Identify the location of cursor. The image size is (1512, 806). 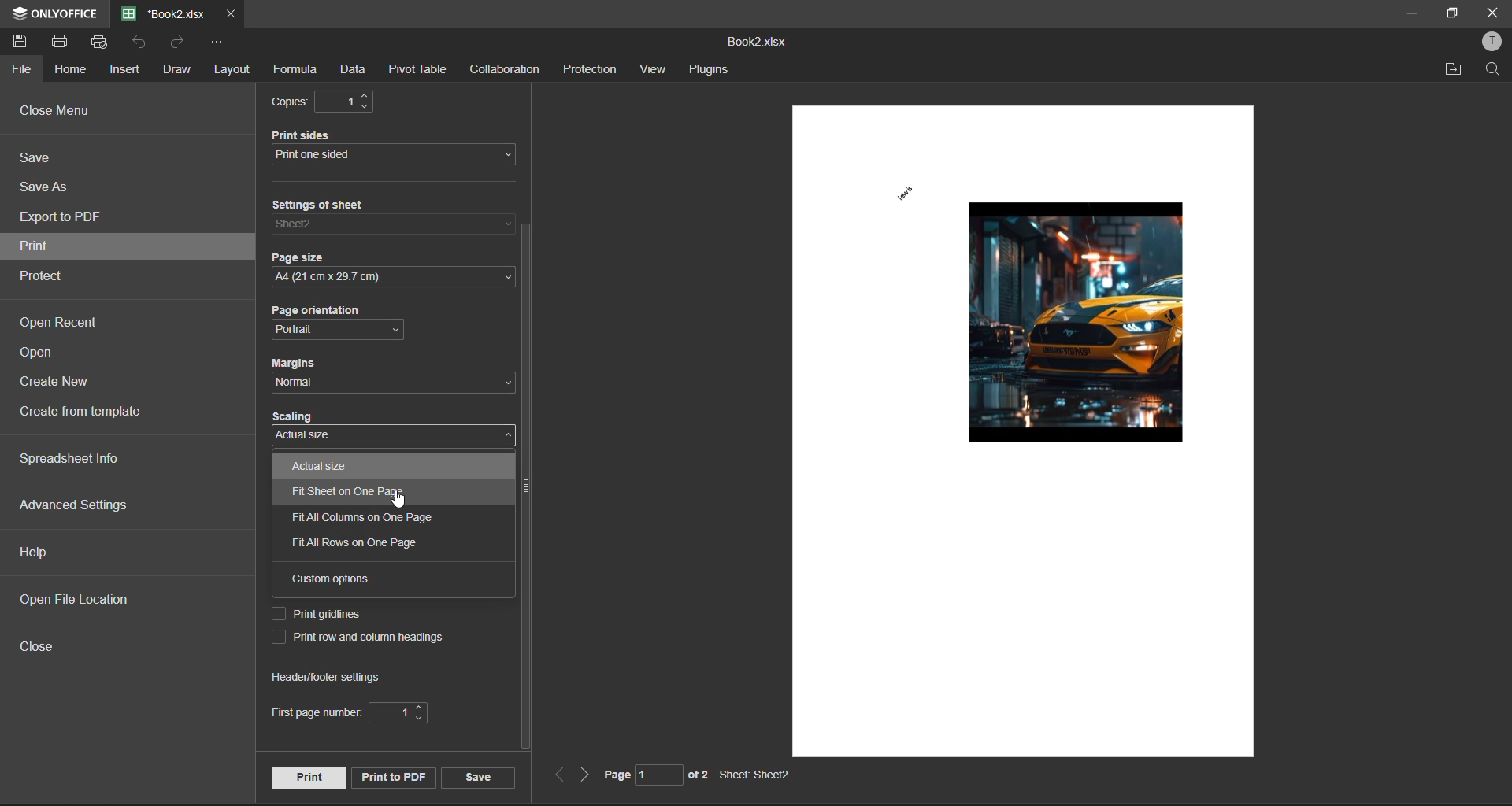
(402, 501).